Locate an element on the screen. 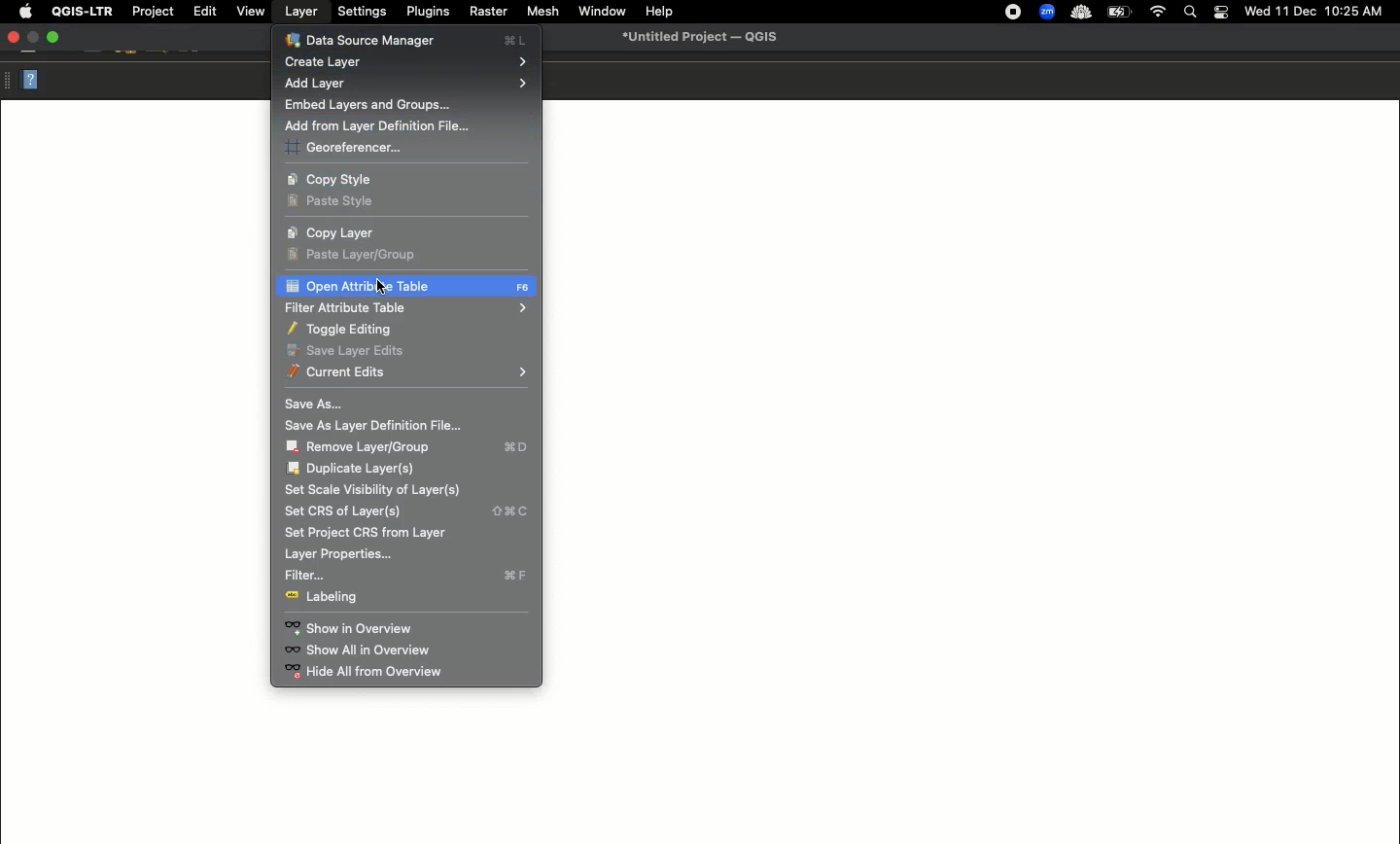 The width and height of the screenshot is (1400, 844). recording is located at coordinates (1008, 12).